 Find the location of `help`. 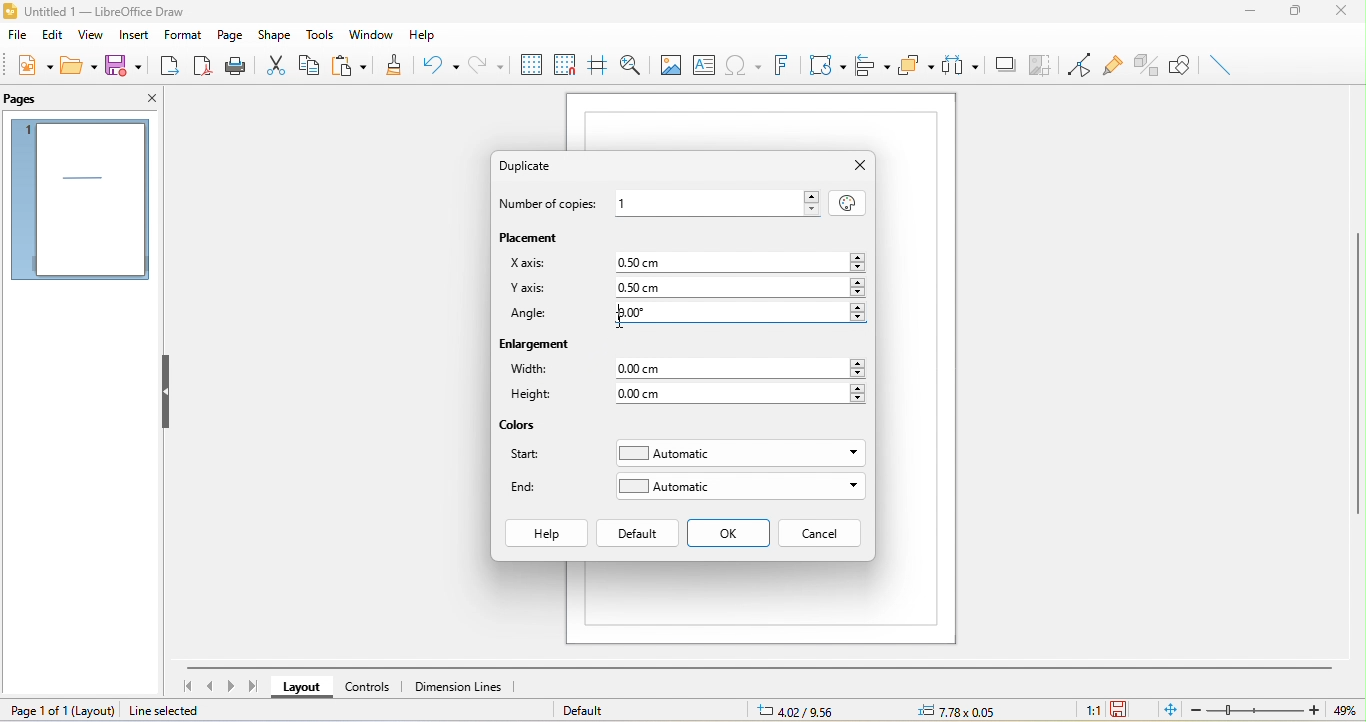

help is located at coordinates (430, 36).